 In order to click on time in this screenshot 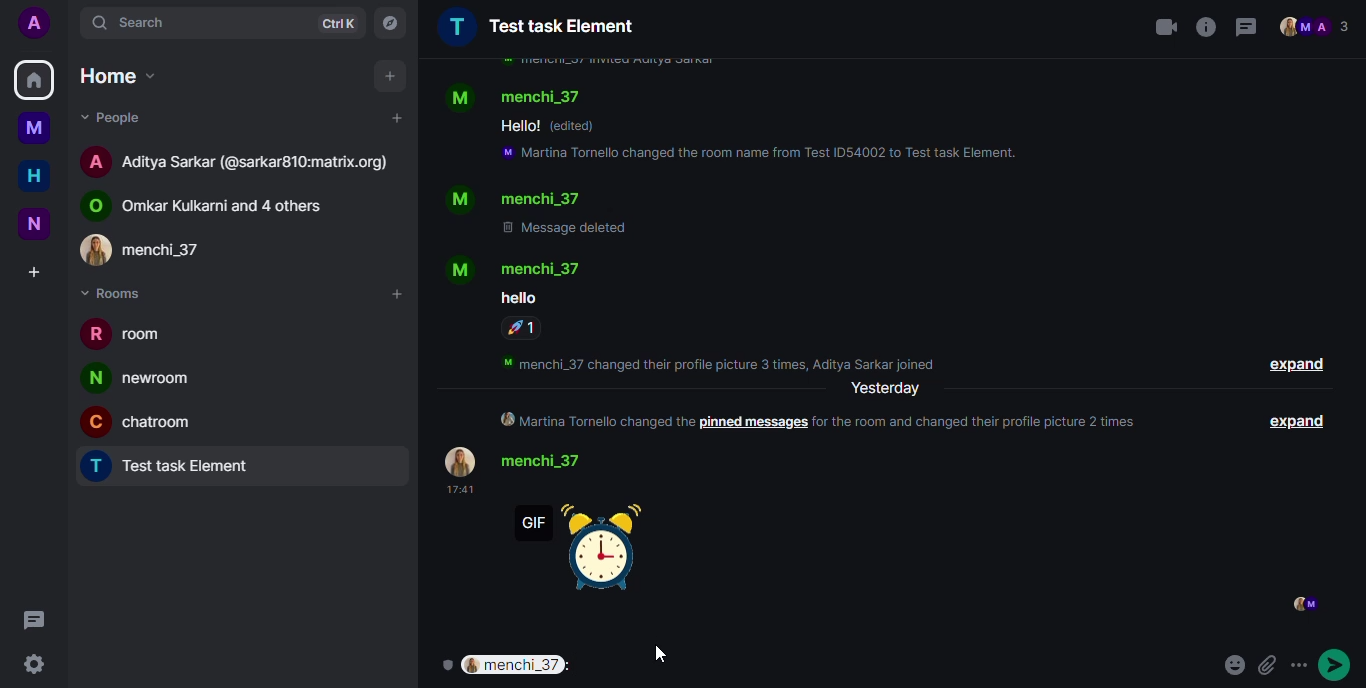, I will do `click(457, 490)`.